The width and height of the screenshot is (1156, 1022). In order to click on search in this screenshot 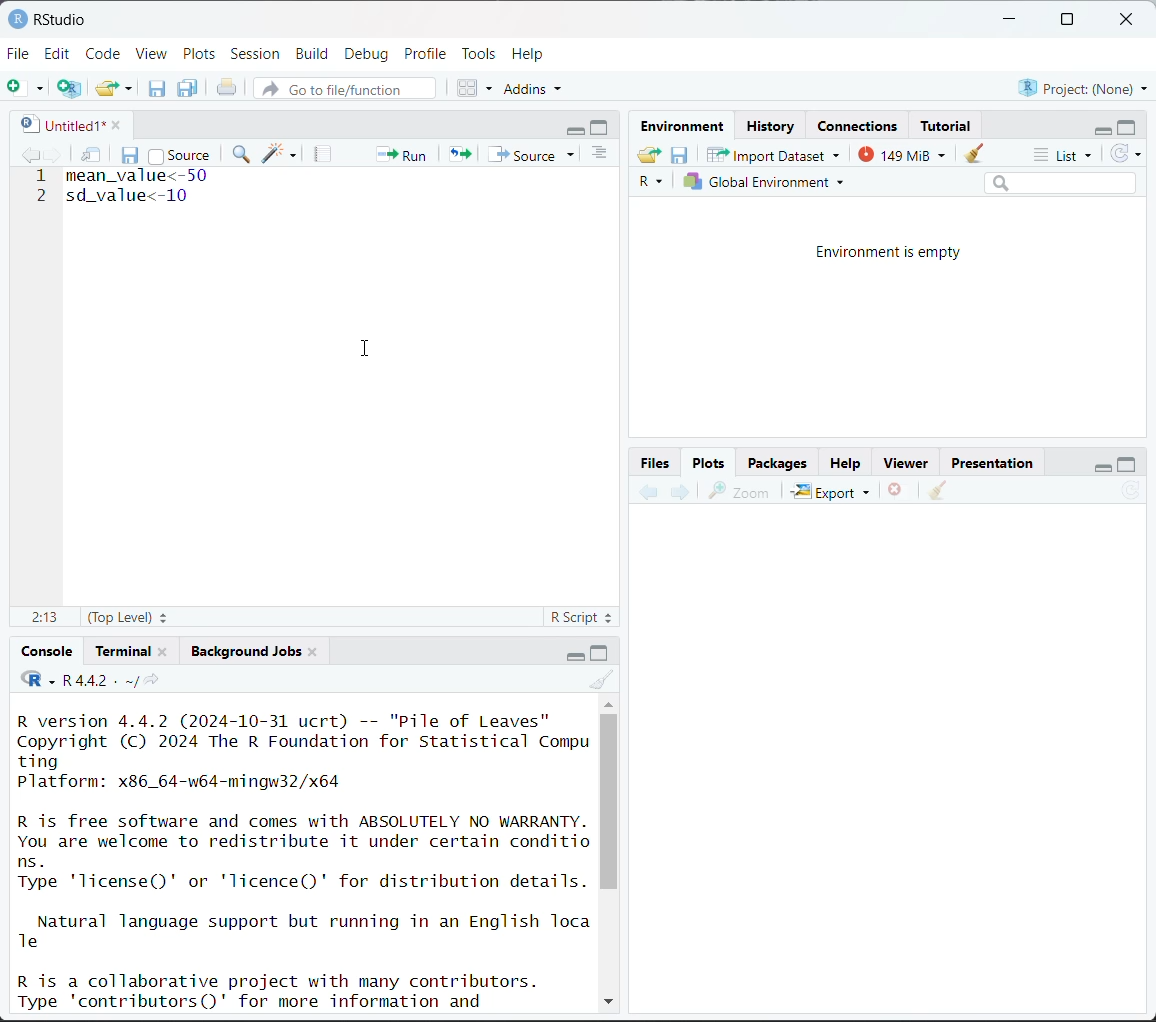, I will do `click(1060, 182)`.